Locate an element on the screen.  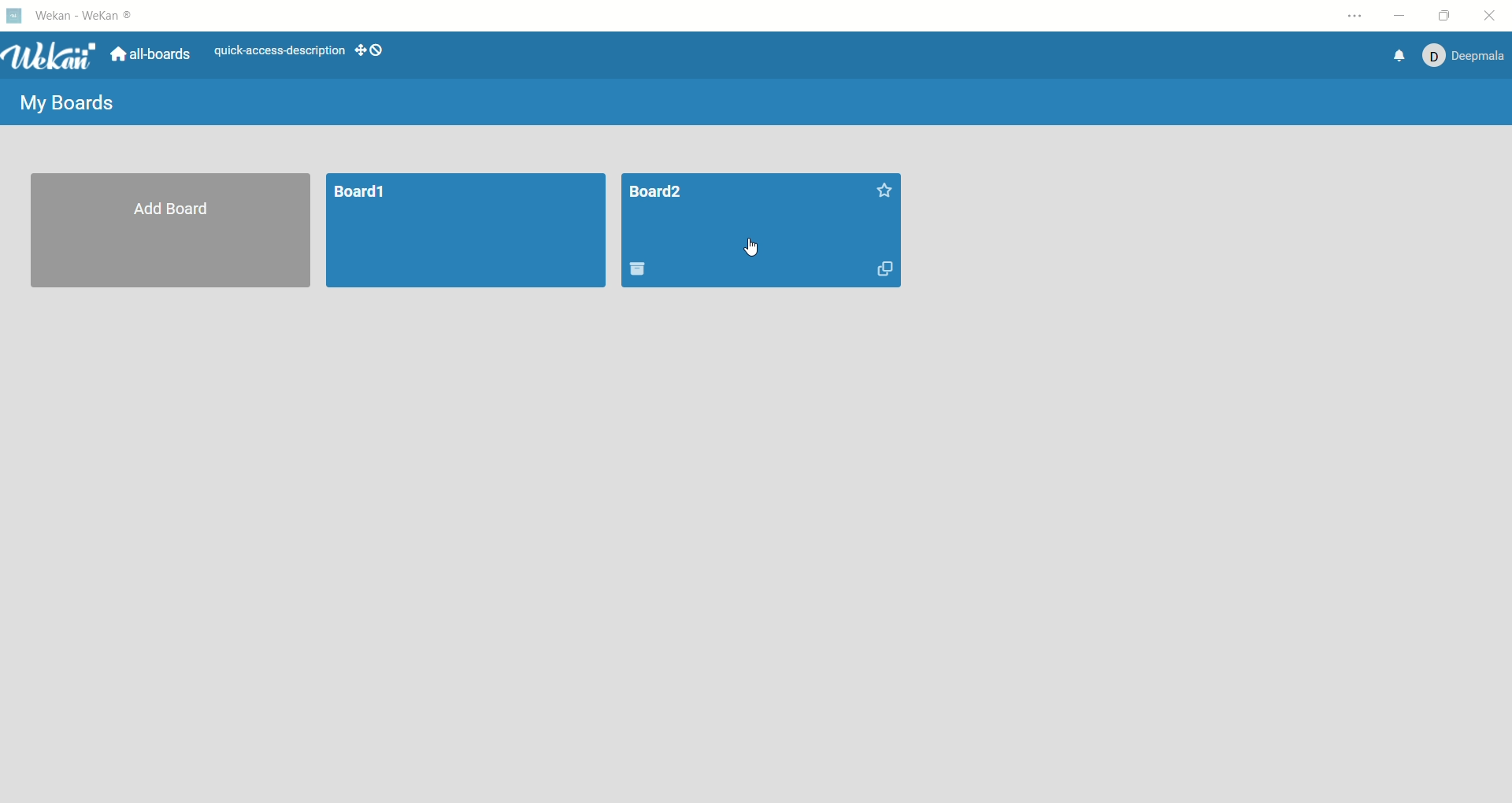
cursor is located at coordinates (750, 248).